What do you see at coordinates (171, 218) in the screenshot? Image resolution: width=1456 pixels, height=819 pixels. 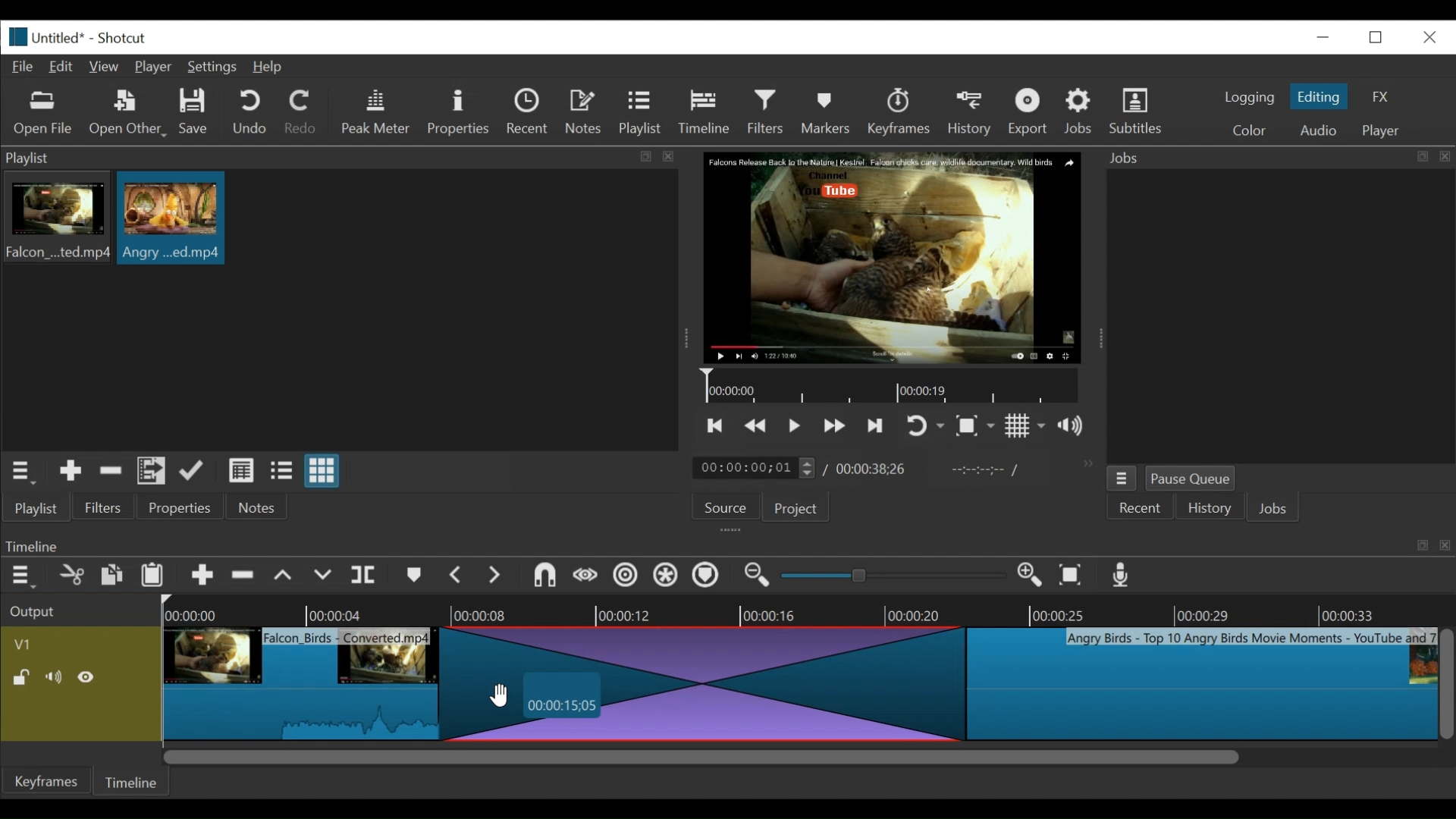 I see `clip` at bounding box center [171, 218].